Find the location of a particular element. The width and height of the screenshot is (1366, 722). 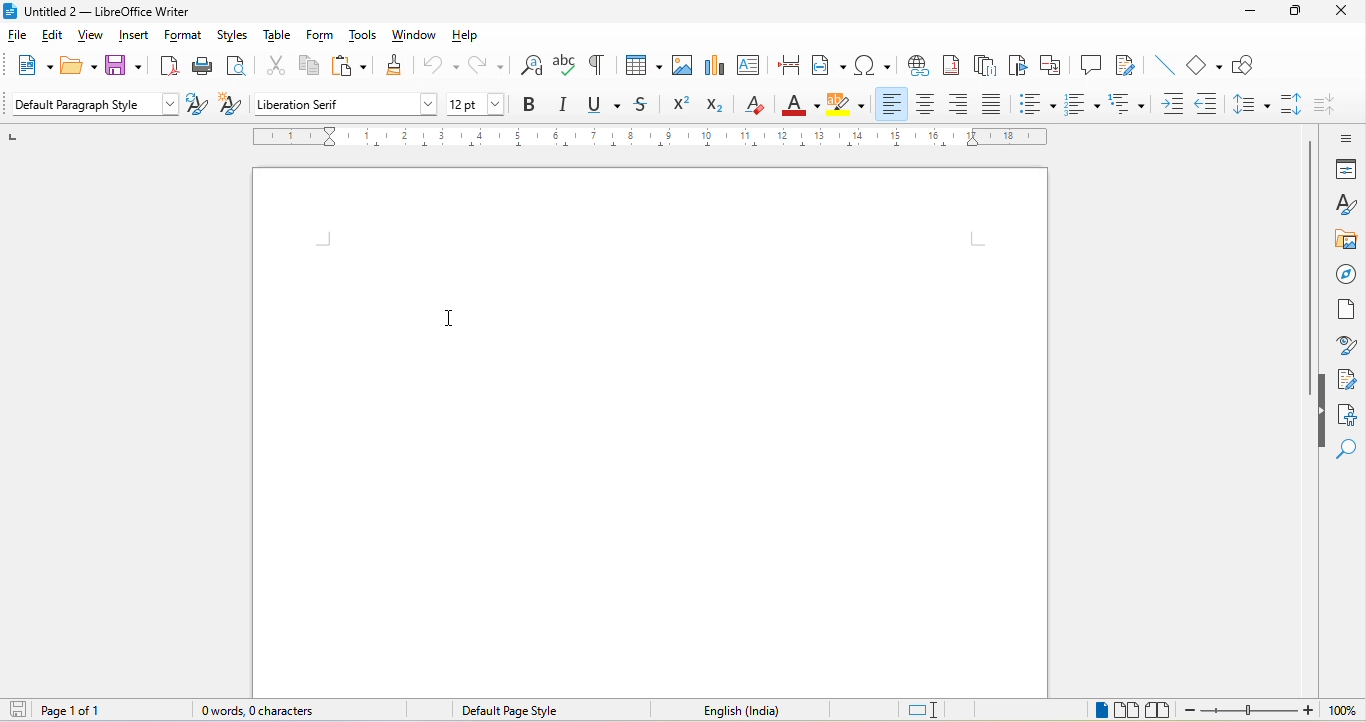

manage changes is located at coordinates (1348, 380).